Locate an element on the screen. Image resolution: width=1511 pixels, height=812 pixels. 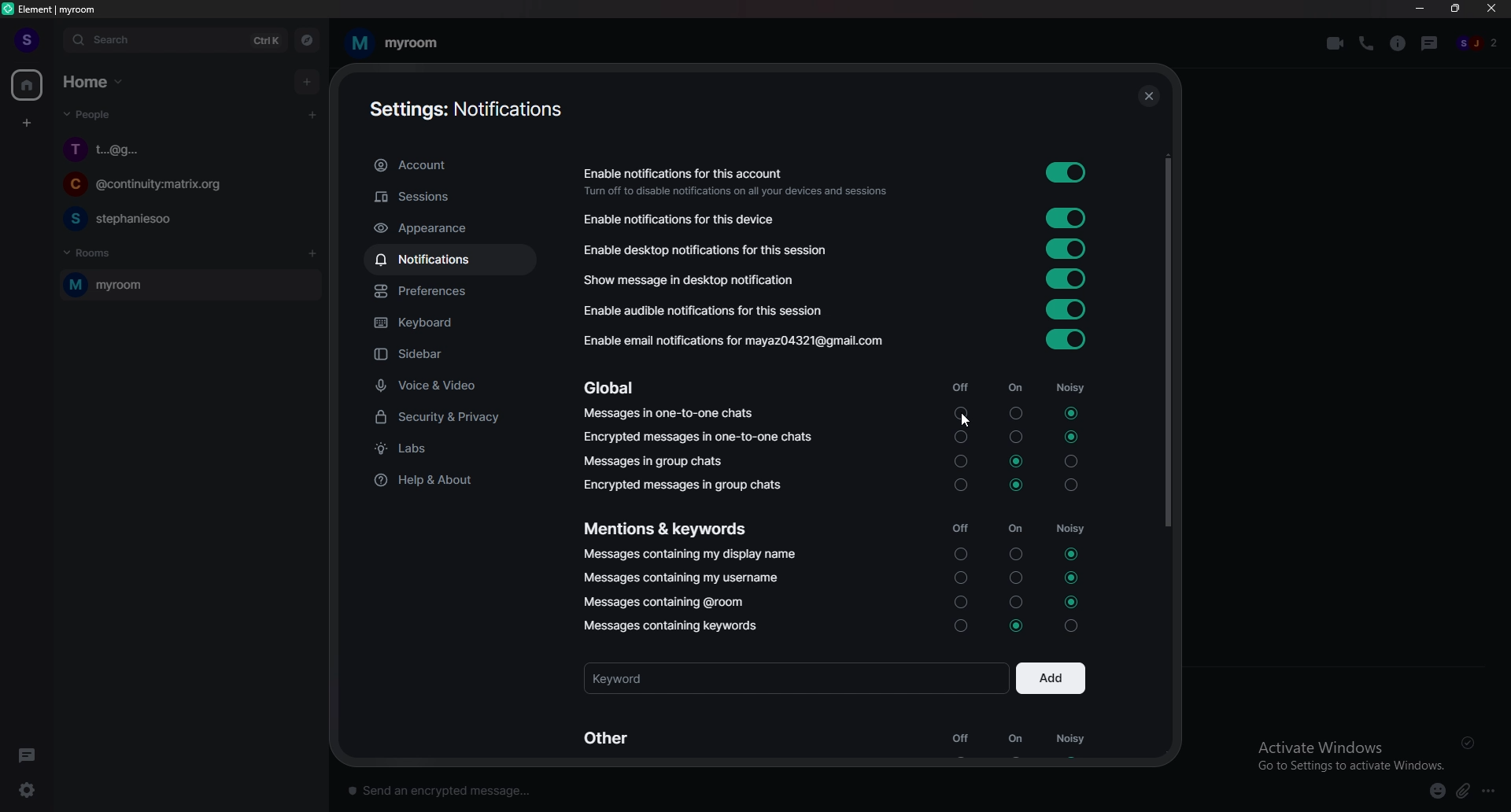
resize is located at coordinates (1455, 9).